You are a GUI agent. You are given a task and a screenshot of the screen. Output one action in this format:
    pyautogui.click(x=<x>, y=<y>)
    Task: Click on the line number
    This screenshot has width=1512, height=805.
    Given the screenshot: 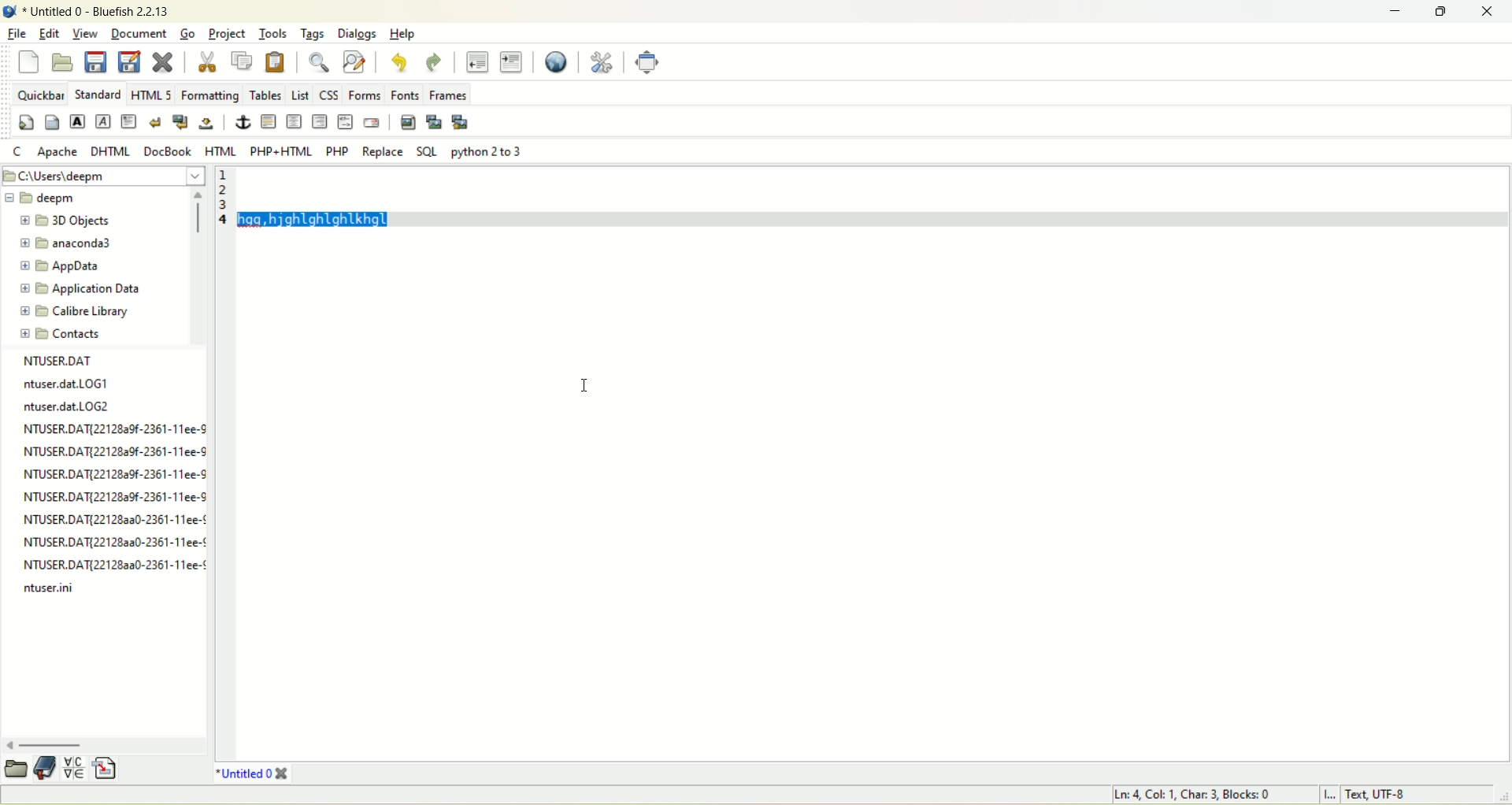 What is the action you would take?
    pyautogui.click(x=223, y=463)
    